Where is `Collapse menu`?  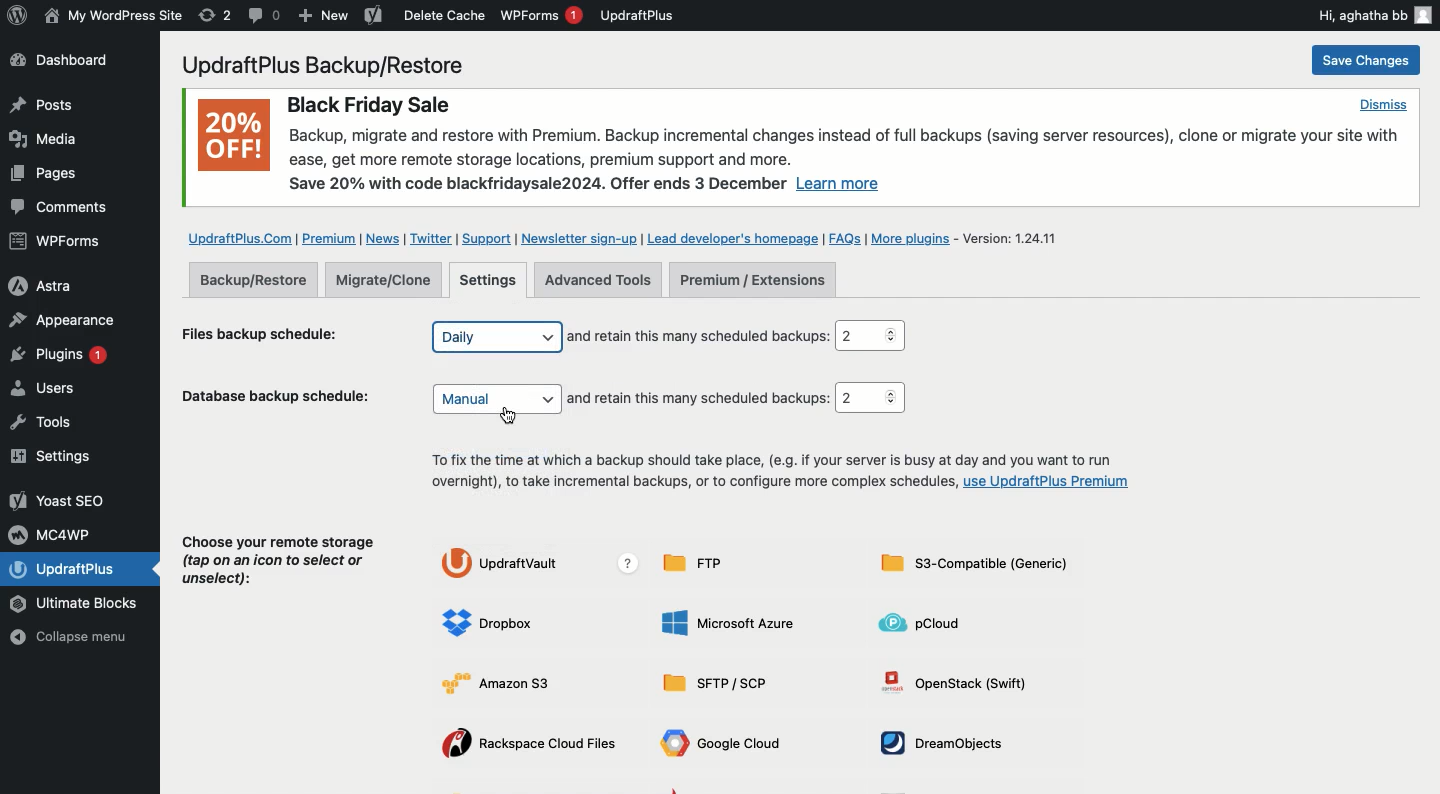
Collapse menu is located at coordinates (77, 639).